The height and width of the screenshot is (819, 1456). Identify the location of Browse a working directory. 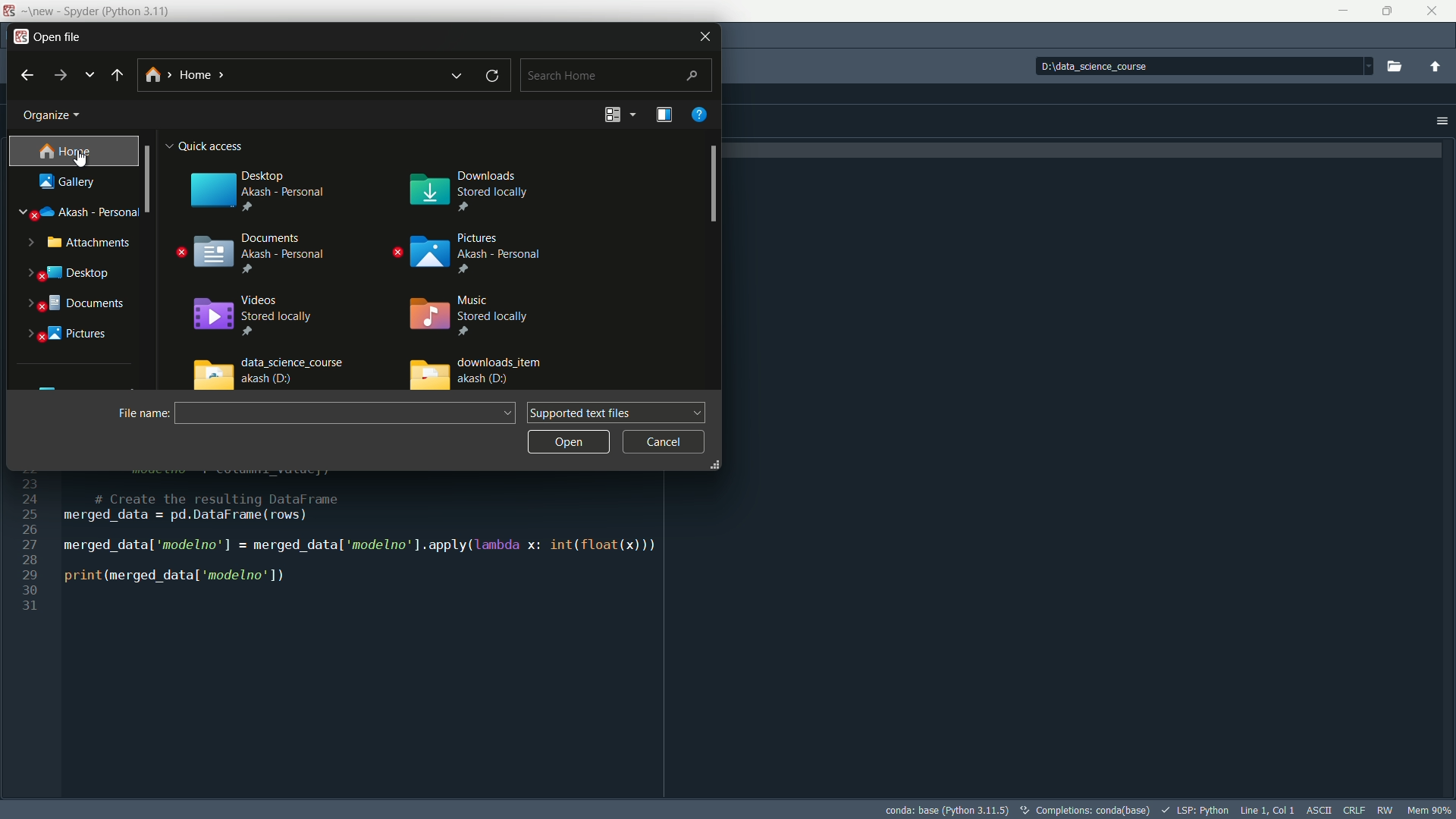
(1397, 65).